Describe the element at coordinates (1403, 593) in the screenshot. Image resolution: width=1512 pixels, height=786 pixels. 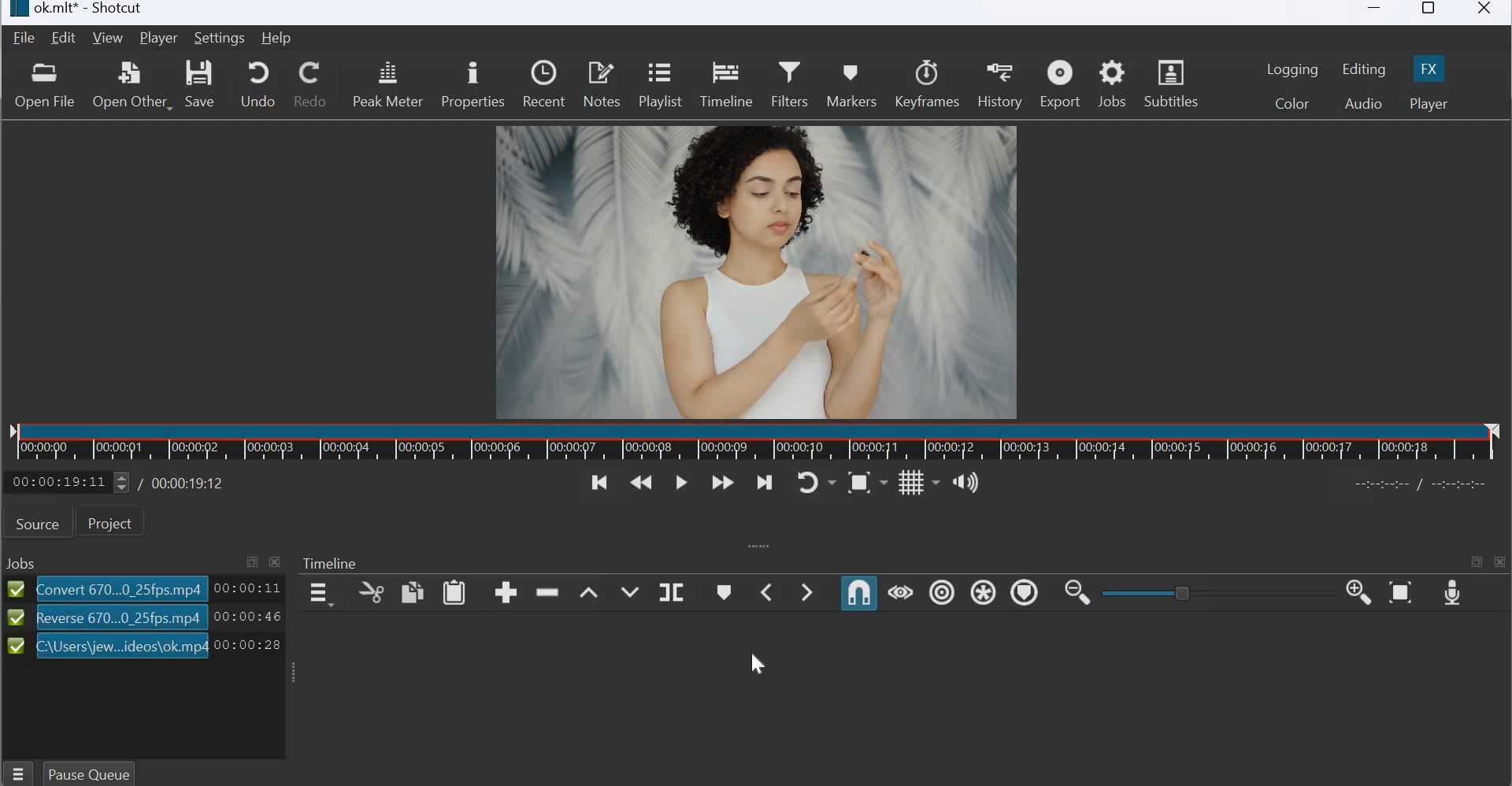
I see `Zoom Timeline to Fit` at that location.